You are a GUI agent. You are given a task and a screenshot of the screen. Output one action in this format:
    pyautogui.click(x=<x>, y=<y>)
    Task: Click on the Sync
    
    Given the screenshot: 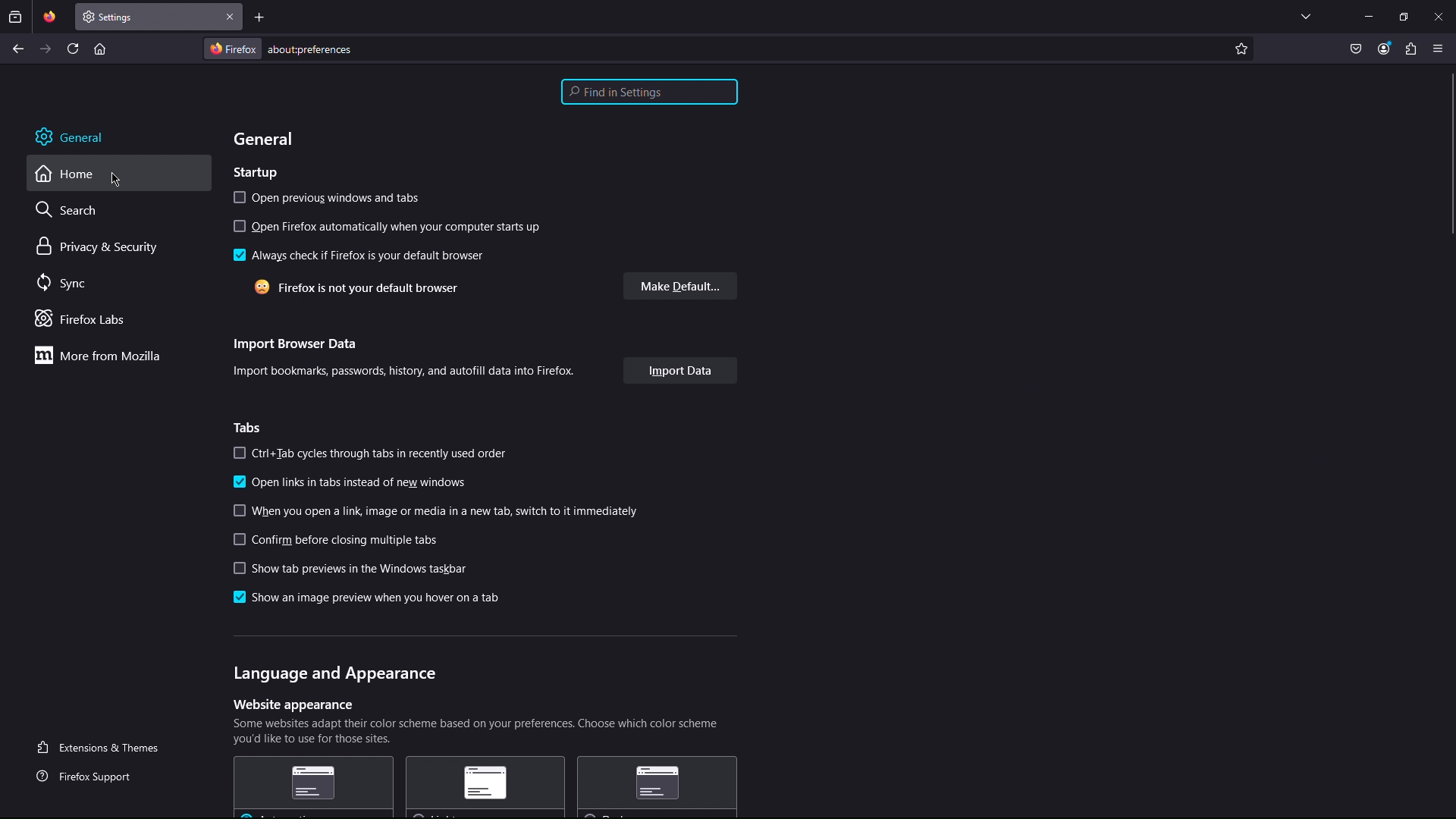 What is the action you would take?
    pyautogui.click(x=65, y=284)
    